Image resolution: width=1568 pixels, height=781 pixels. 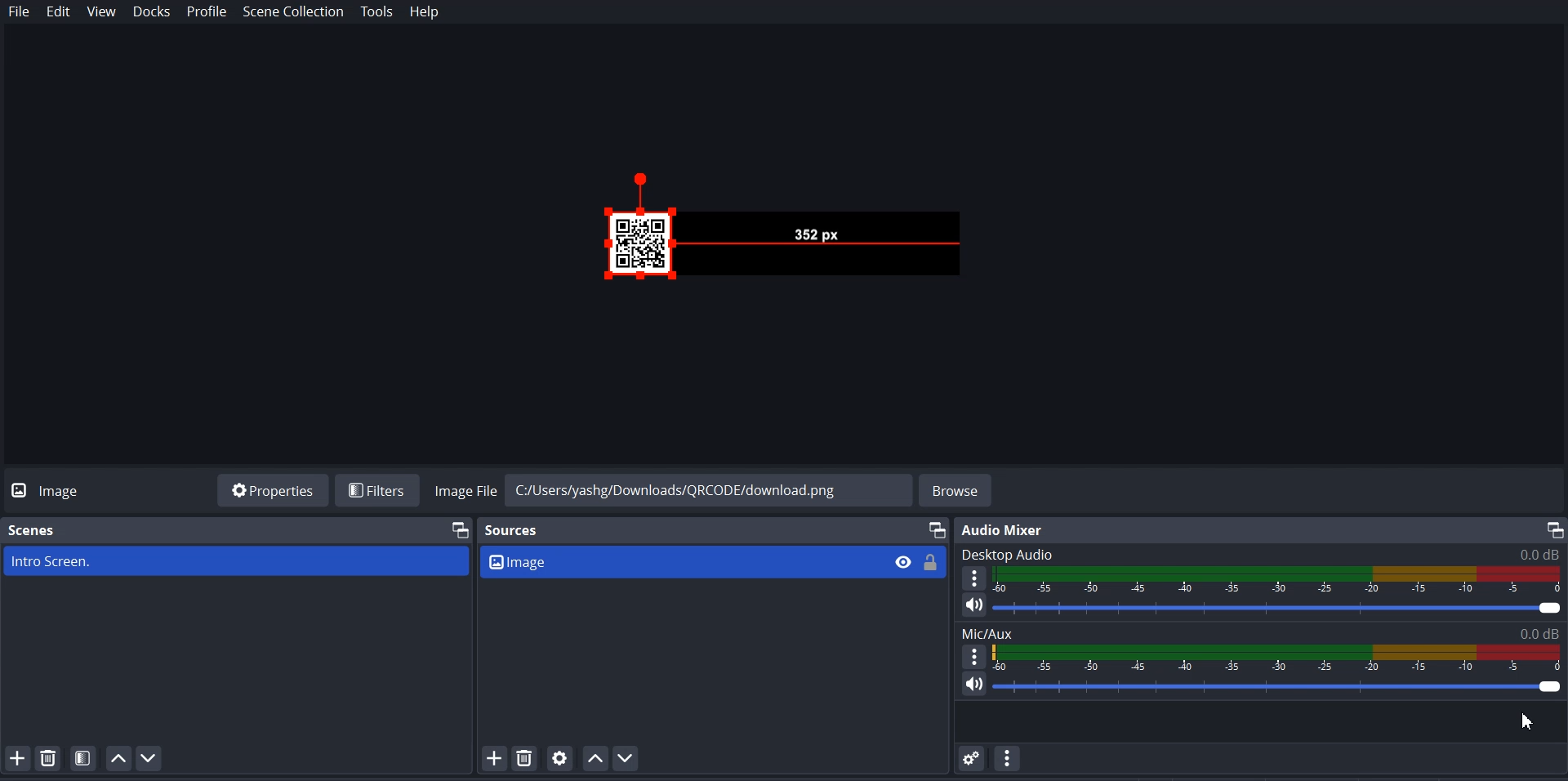 What do you see at coordinates (1006, 530) in the screenshot?
I see `Text` at bounding box center [1006, 530].